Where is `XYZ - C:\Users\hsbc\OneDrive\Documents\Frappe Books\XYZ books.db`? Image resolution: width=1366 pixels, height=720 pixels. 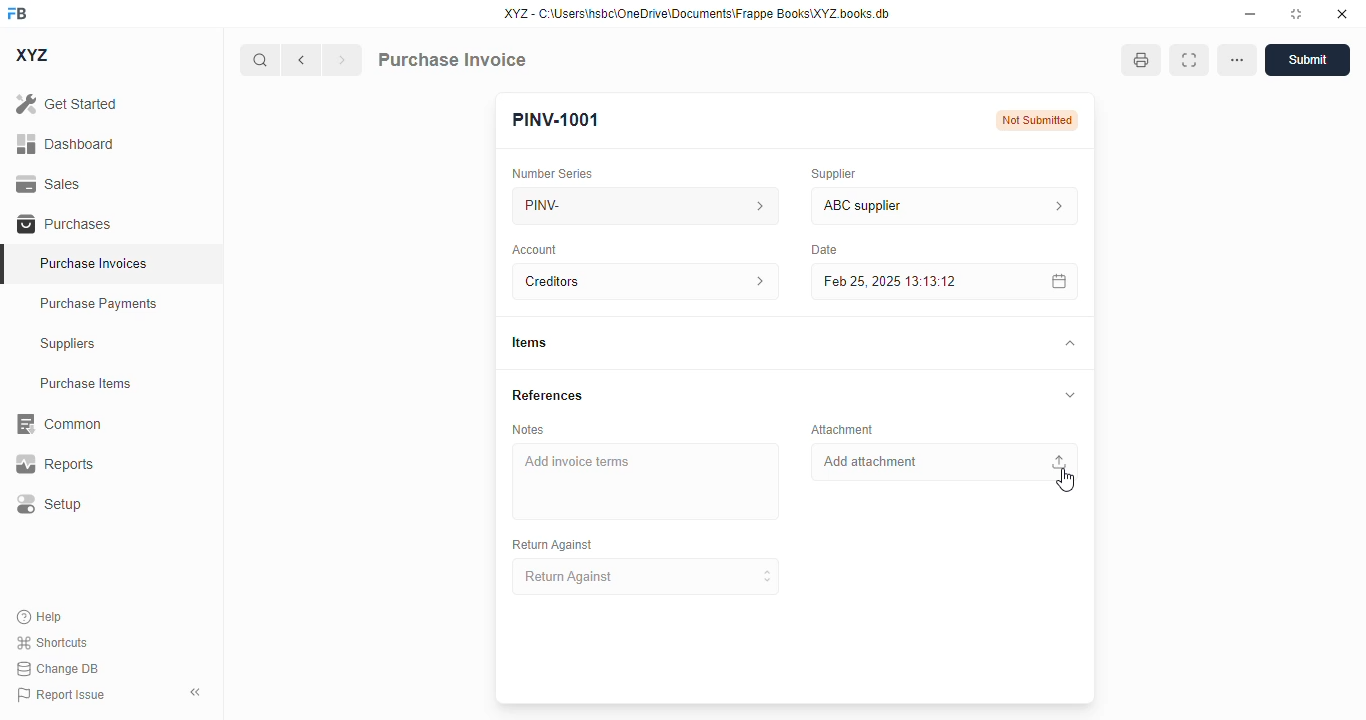
XYZ - C:\Users\hsbc\OneDrive\Documents\Frappe Books\XYZ books.db is located at coordinates (697, 13).